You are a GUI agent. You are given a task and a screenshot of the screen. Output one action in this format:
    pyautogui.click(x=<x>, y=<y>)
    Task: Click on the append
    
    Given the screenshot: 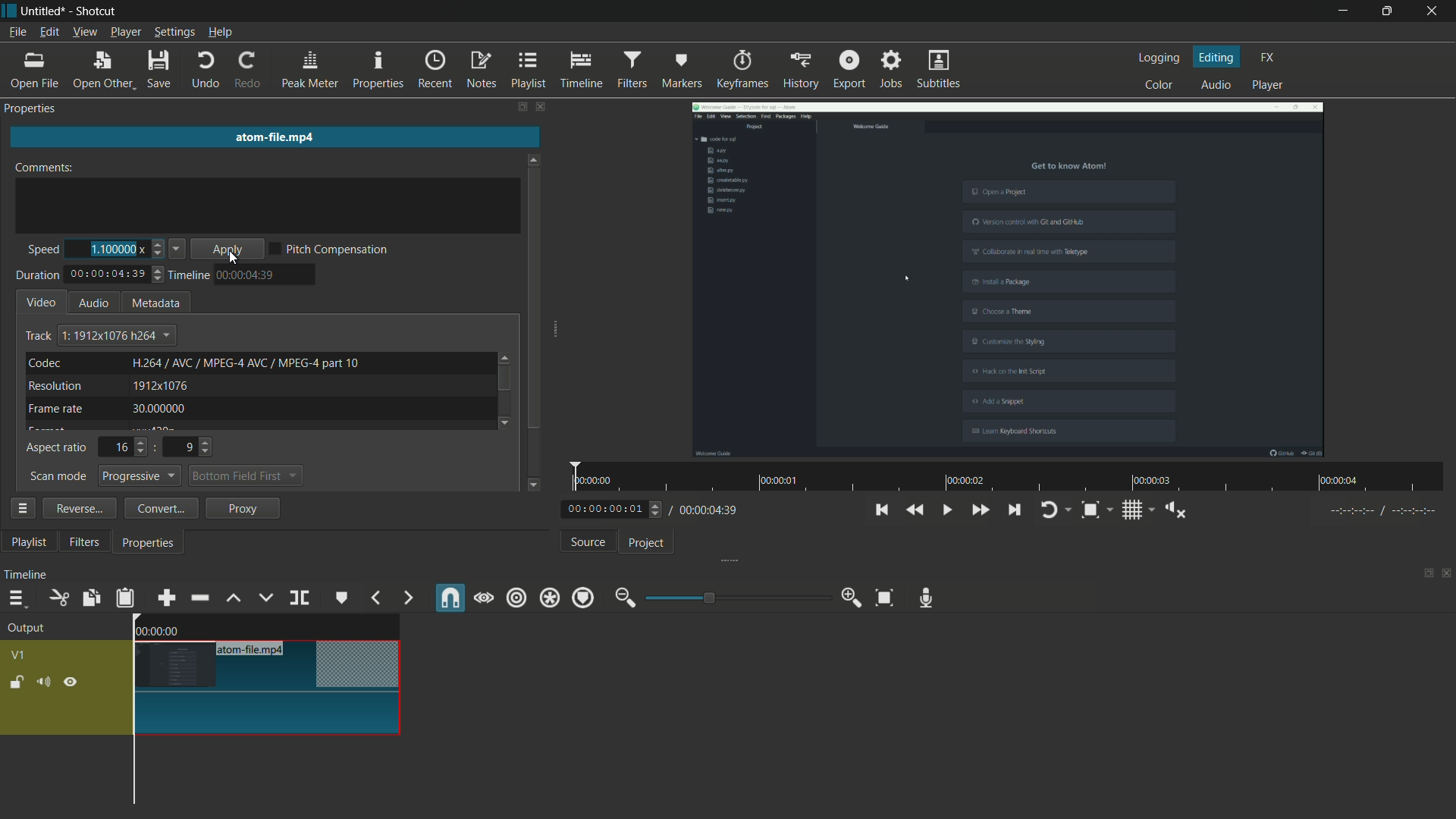 What is the action you would take?
    pyautogui.click(x=166, y=598)
    